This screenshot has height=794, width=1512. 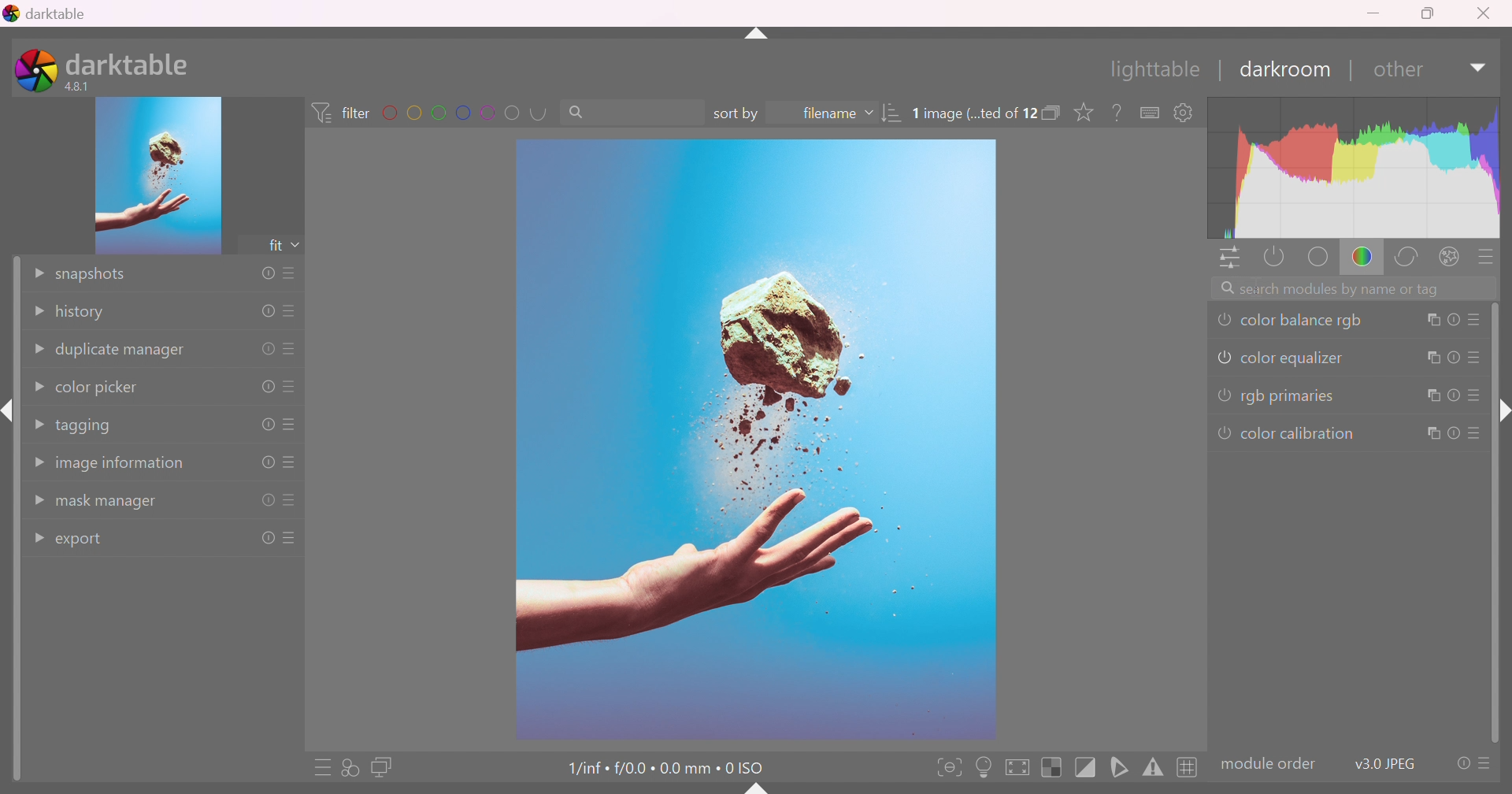 What do you see at coordinates (1223, 317) in the screenshot?
I see `'color balance rgb' is switched off` at bounding box center [1223, 317].